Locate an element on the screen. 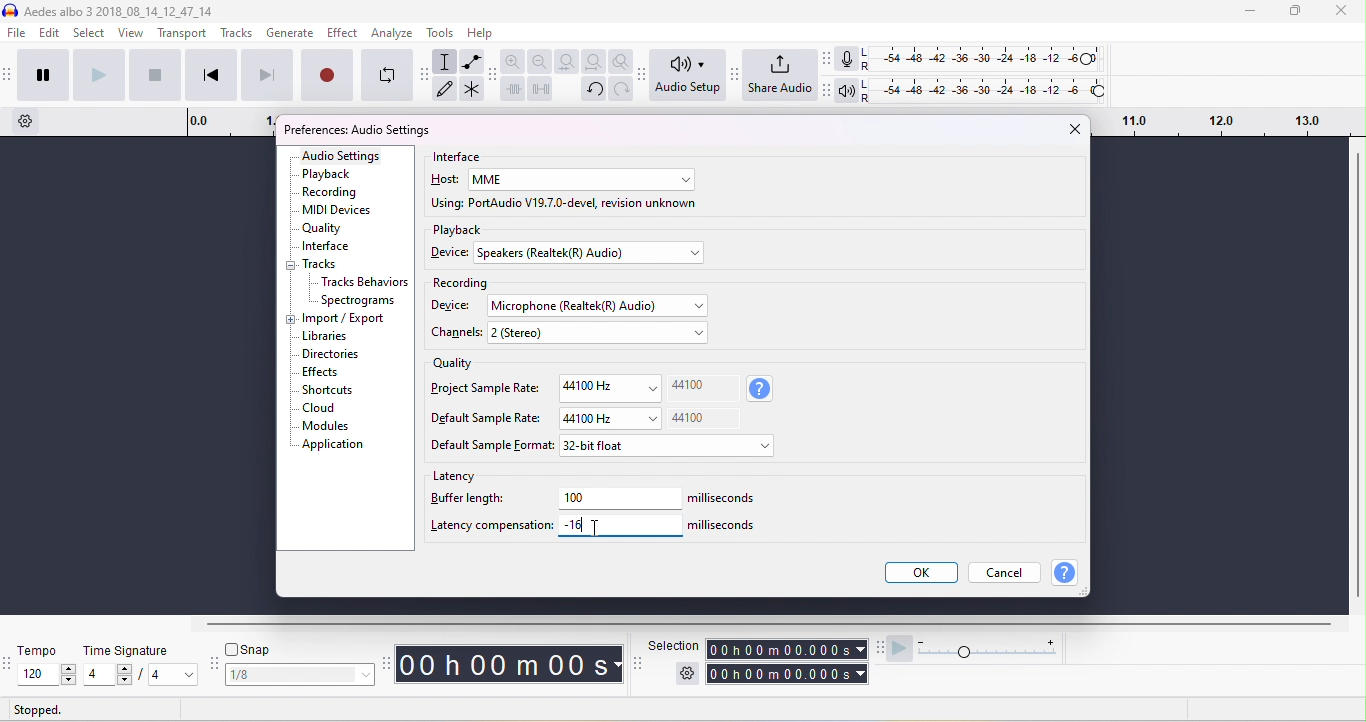  select default sample format is located at coordinates (669, 449).